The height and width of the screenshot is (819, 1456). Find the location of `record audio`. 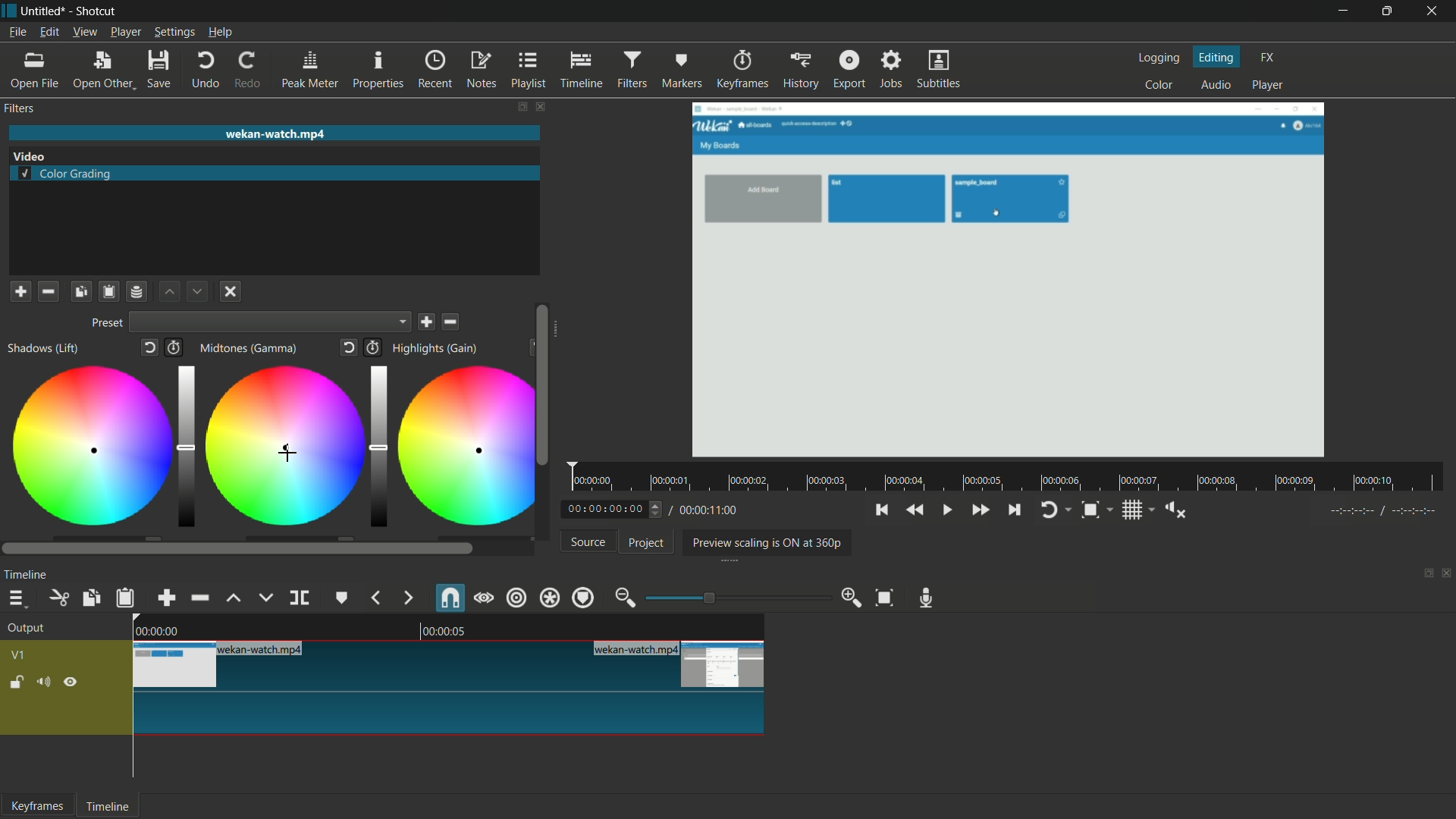

record audio is located at coordinates (927, 598).